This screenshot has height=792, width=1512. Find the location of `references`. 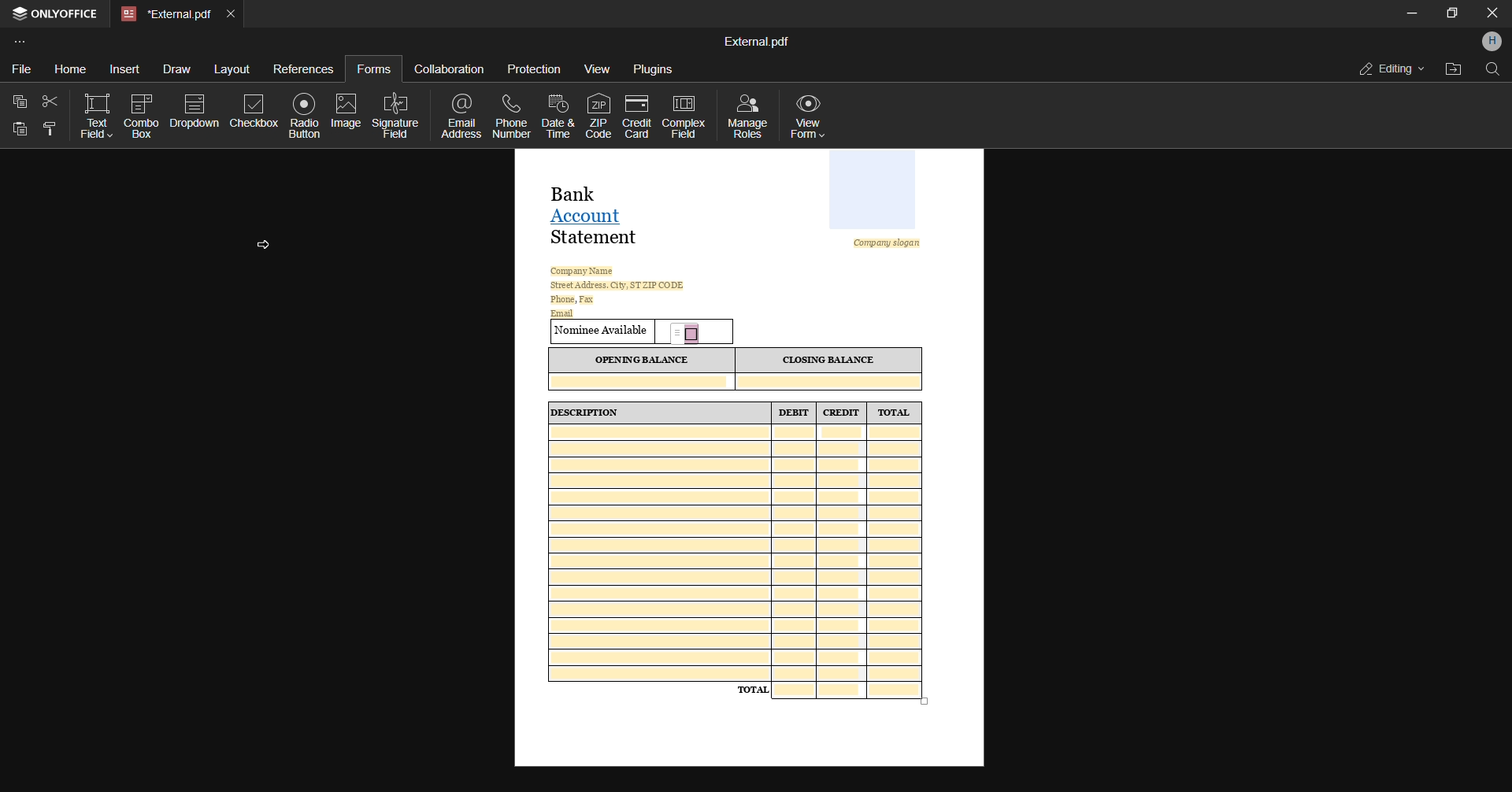

references is located at coordinates (305, 68).